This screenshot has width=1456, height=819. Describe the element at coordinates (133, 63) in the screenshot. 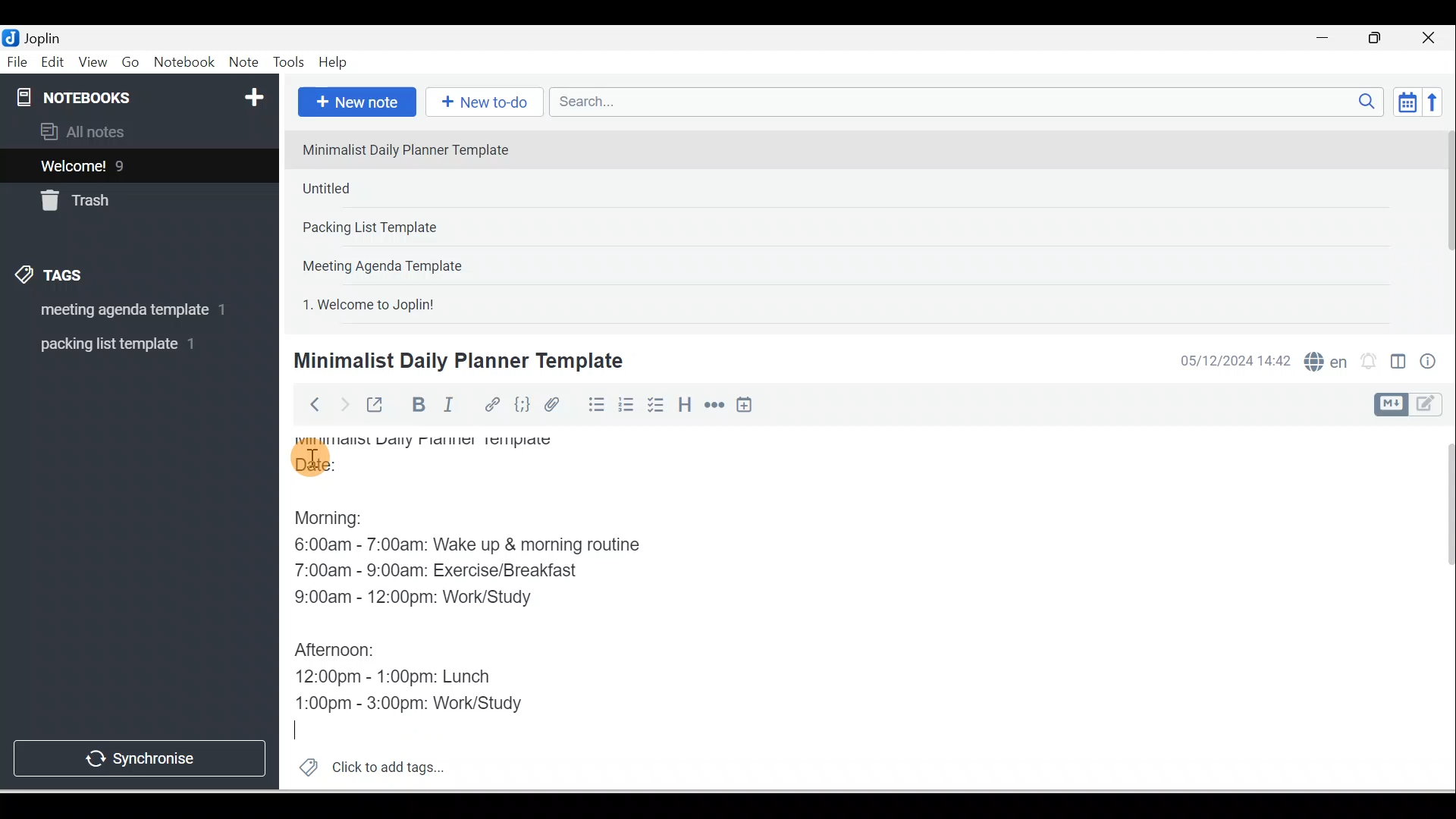

I see `Go` at that location.